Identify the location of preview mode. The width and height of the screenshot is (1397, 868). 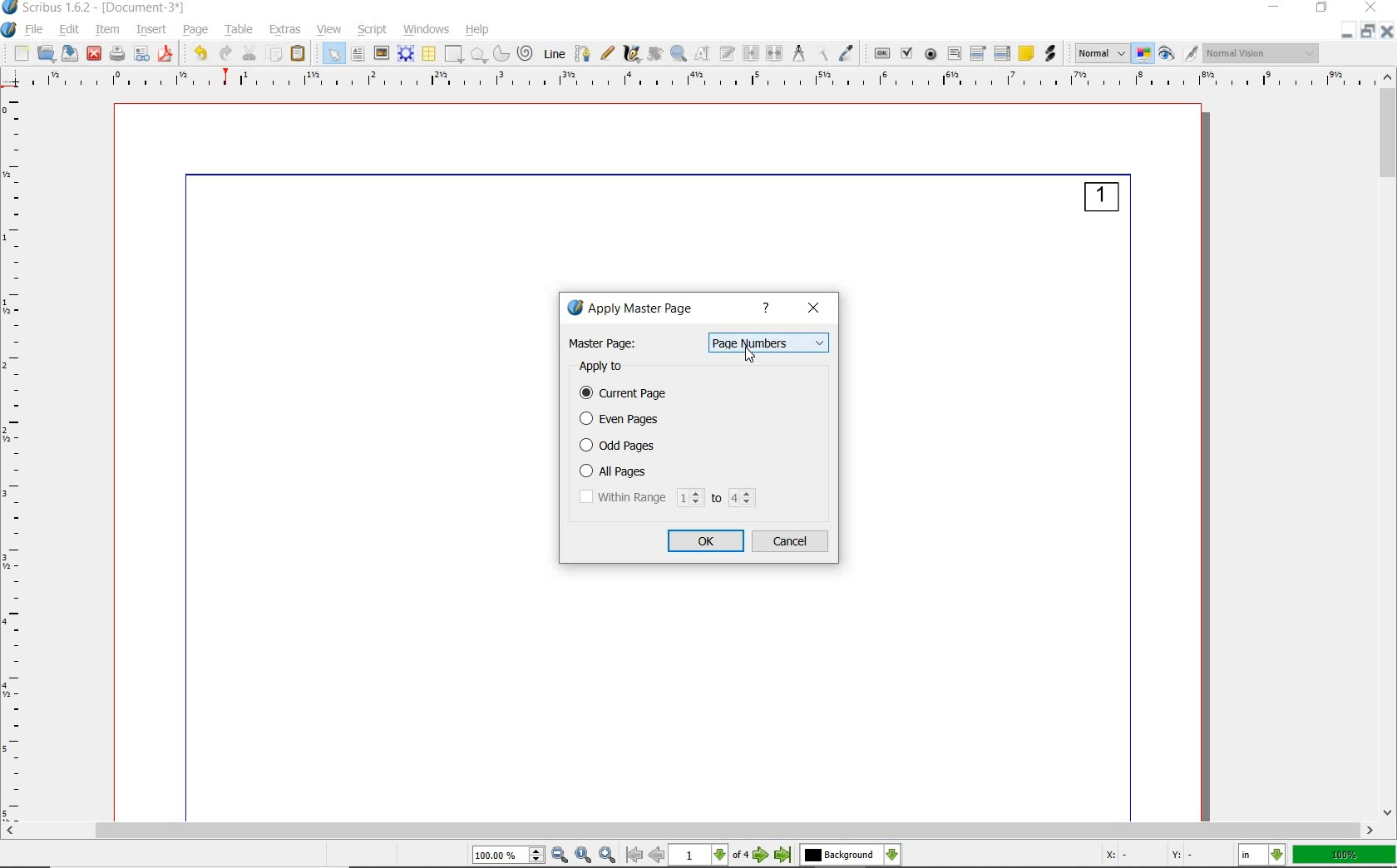
(1180, 52).